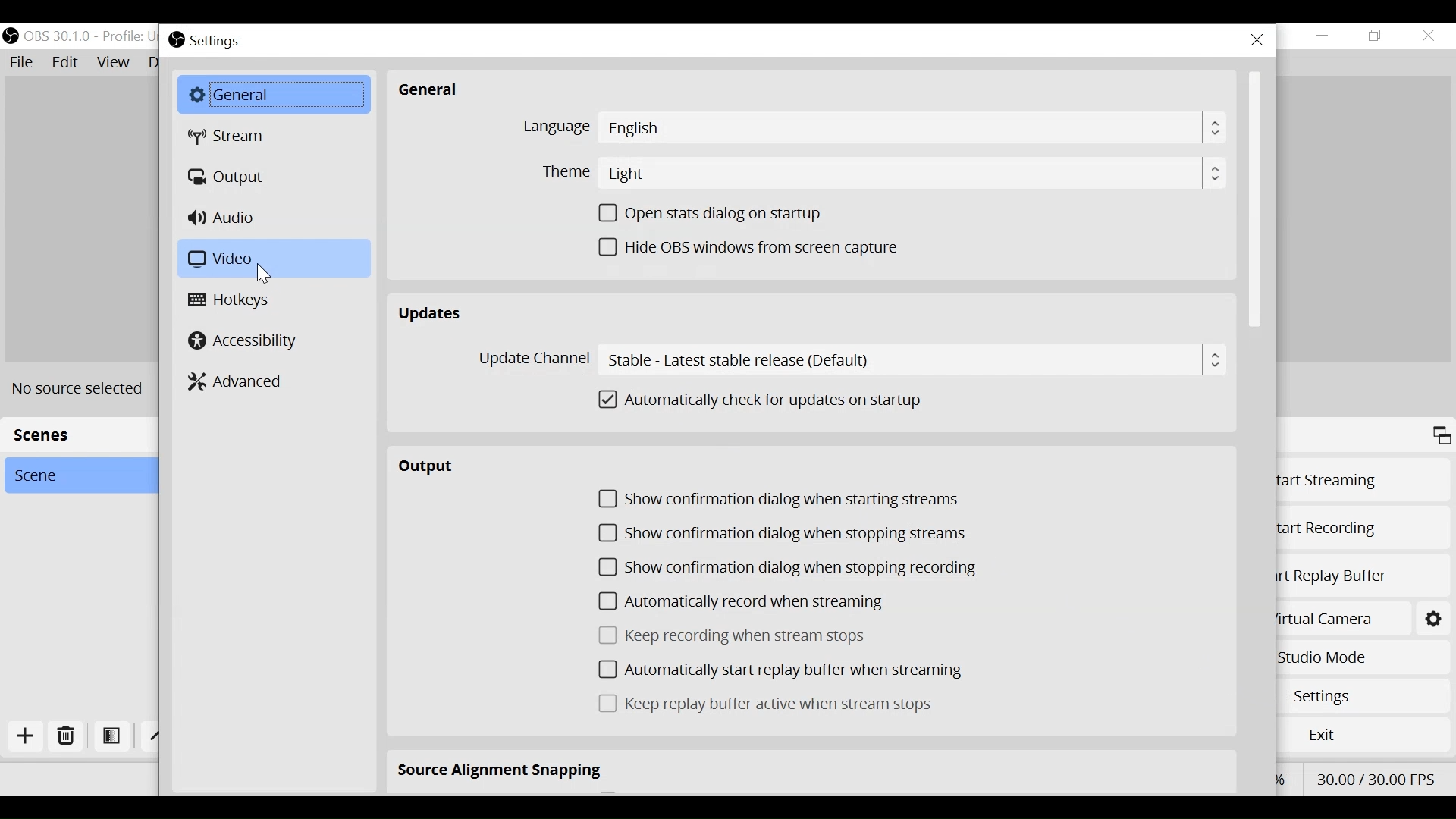 The height and width of the screenshot is (819, 1456). What do you see at coordinates (83, 388) in the screenshot?
I see `No Source Selected` at bounding box center [83, 388].